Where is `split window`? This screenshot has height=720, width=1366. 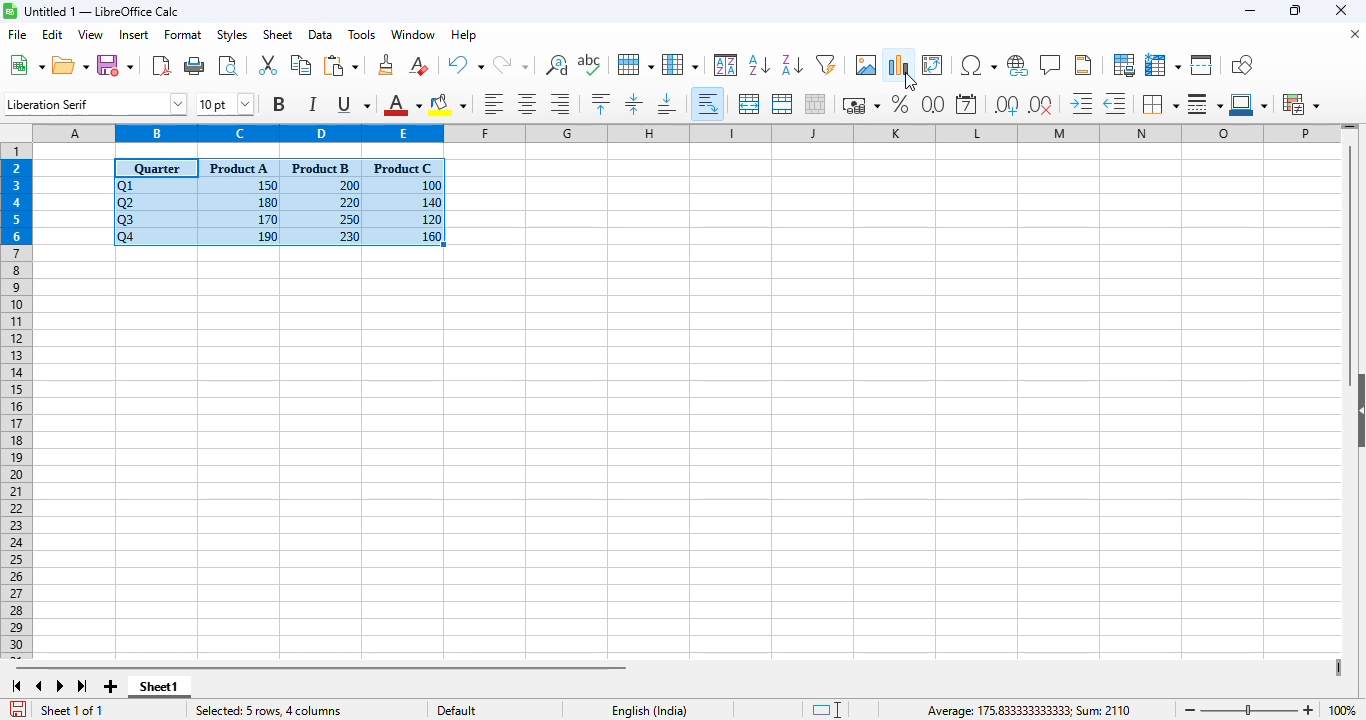
split window is located at coordinates (1202, 65).